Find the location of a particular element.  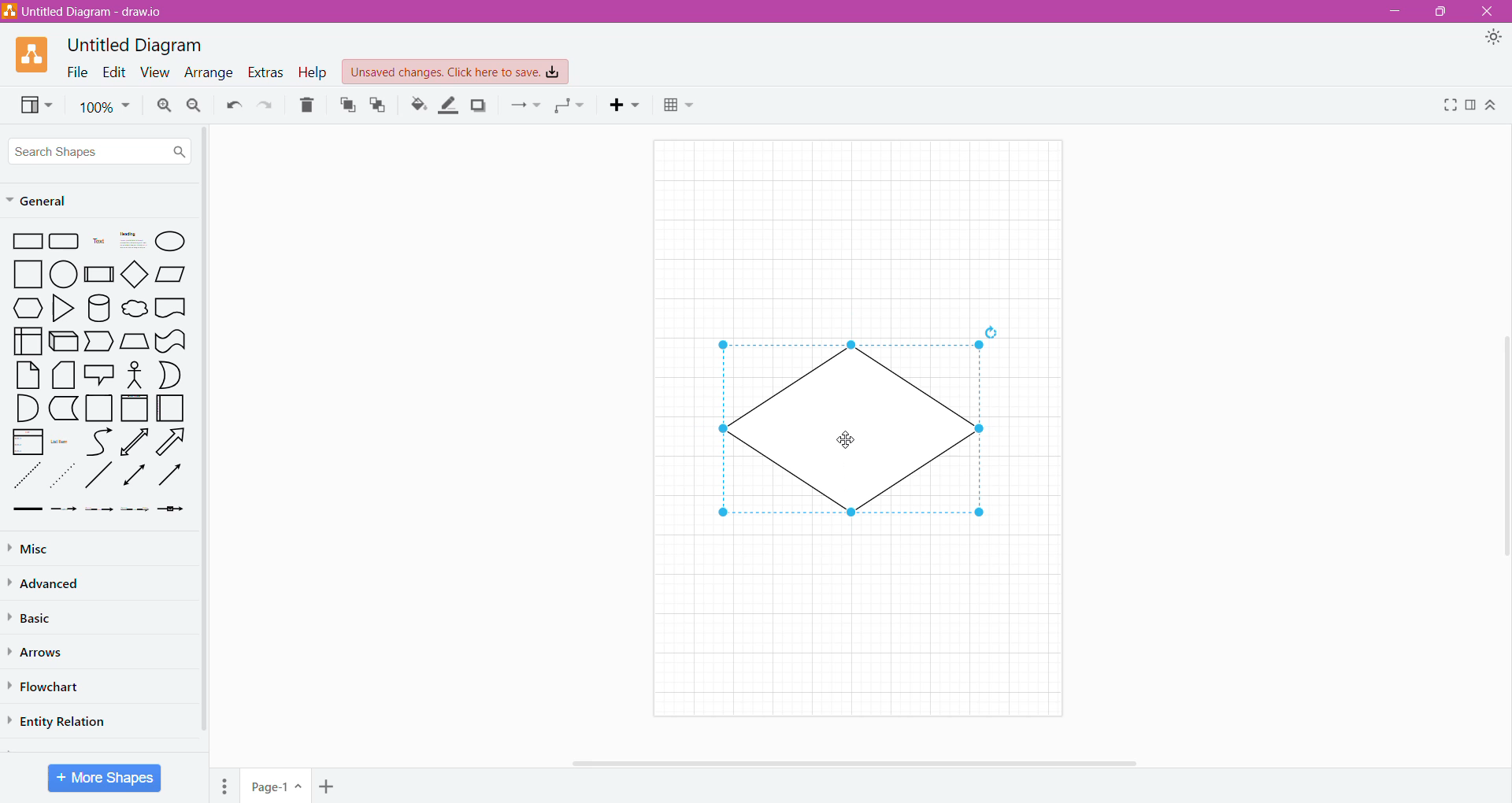

Edit is located at coordinates (110, 71).